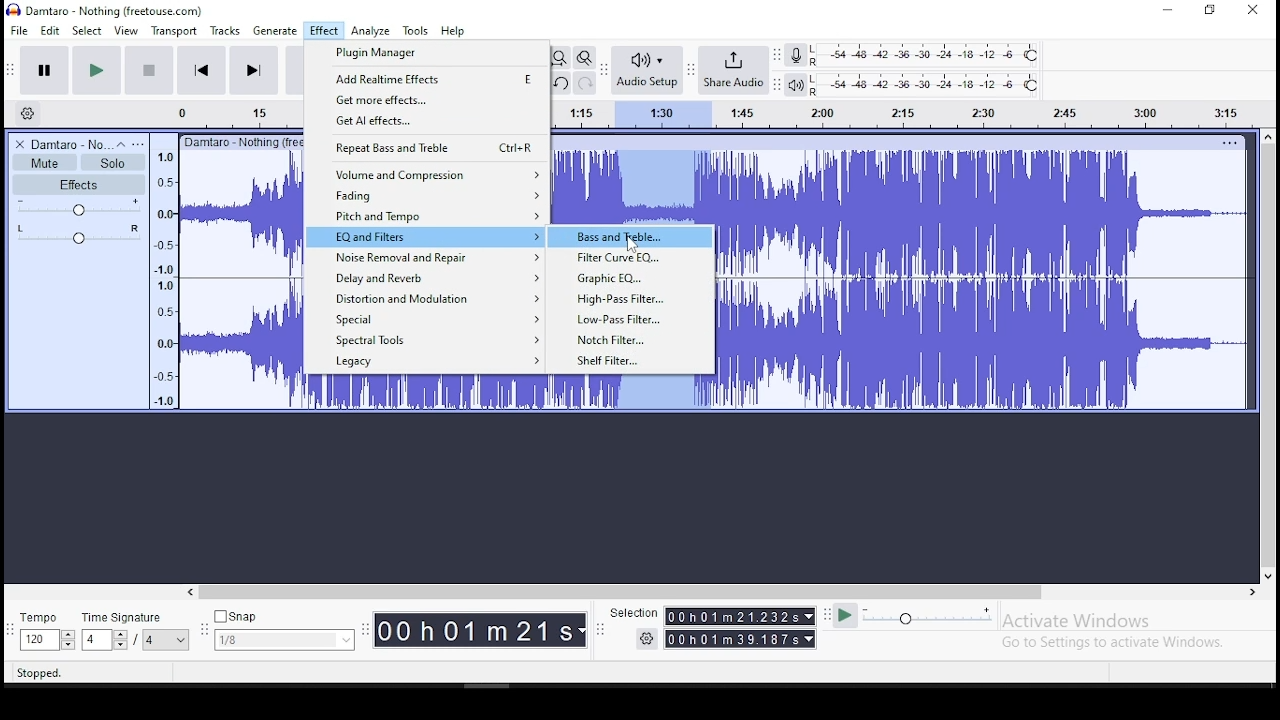 Image resolution: width=1280 pixels, height=720 pixels. Describe the element at coordinates (38, 641) in the screenshot. I see `120` at that location.